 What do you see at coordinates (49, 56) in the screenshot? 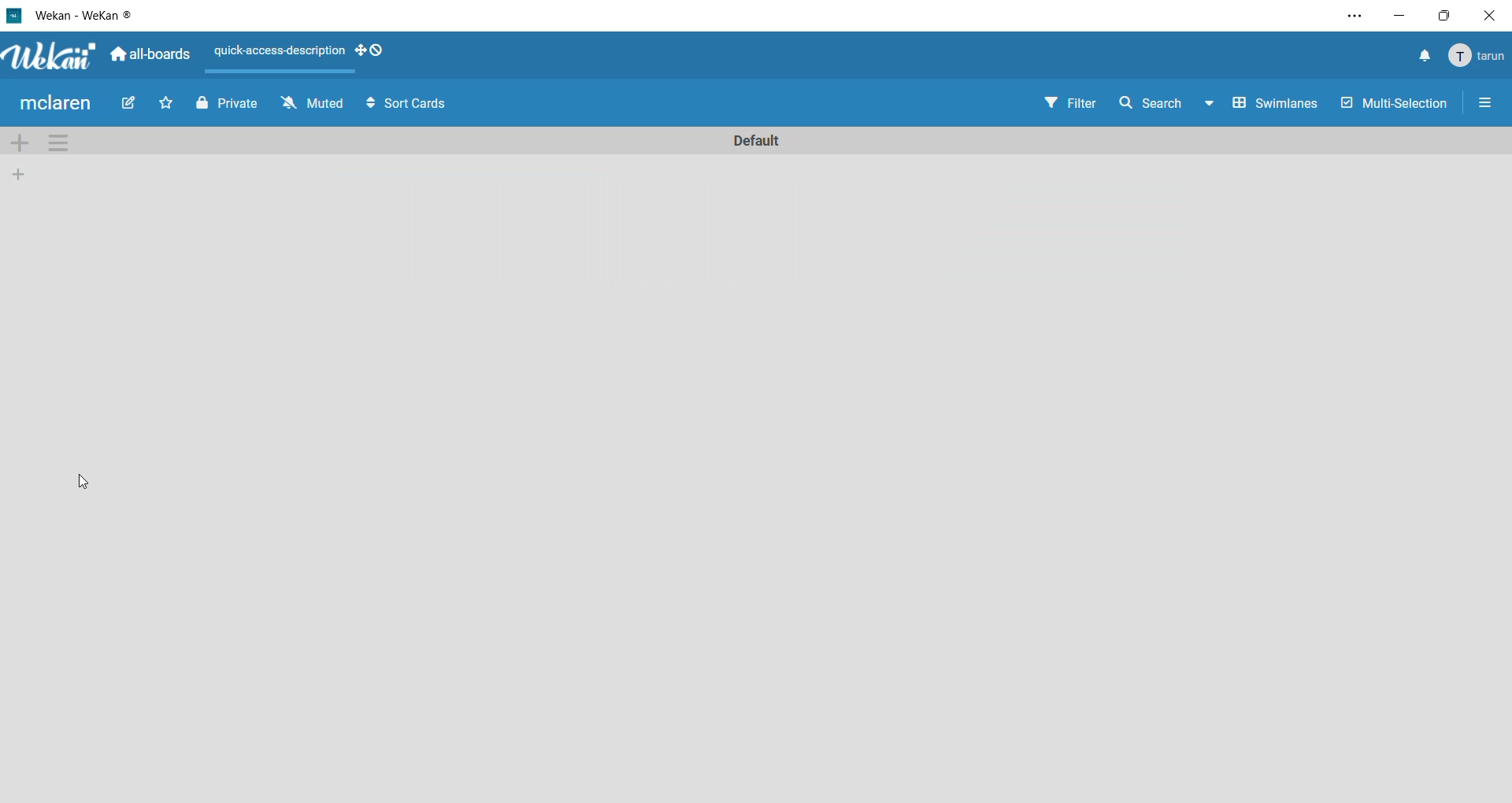
I see `WeKan` at bounding box center [49, 56].